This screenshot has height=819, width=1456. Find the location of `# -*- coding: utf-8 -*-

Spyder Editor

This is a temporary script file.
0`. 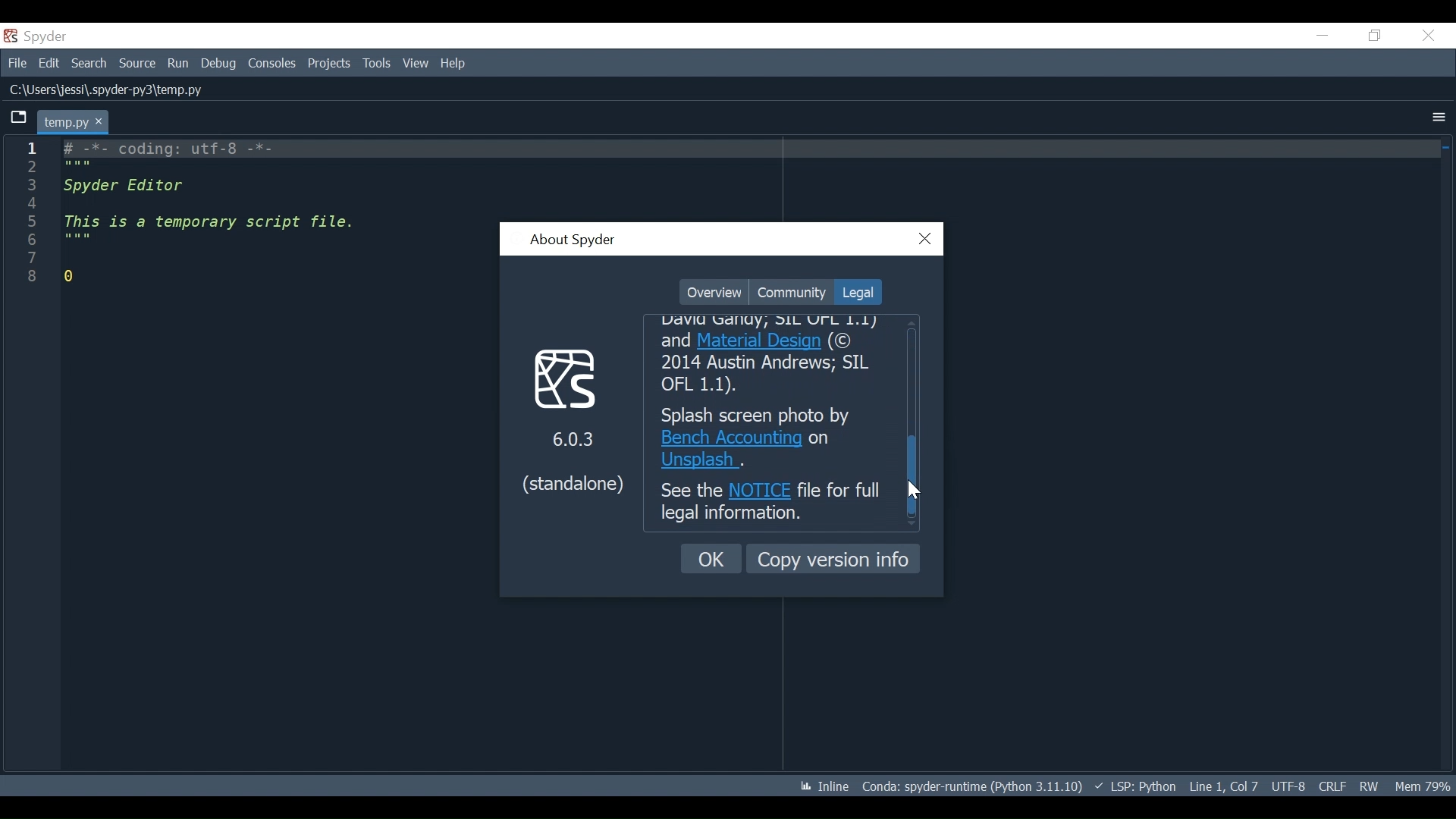

# -*- coding: utf-8 -*-

Spyder Editor

This is a temporary script file.
0 is located at coordinates (209, 217).